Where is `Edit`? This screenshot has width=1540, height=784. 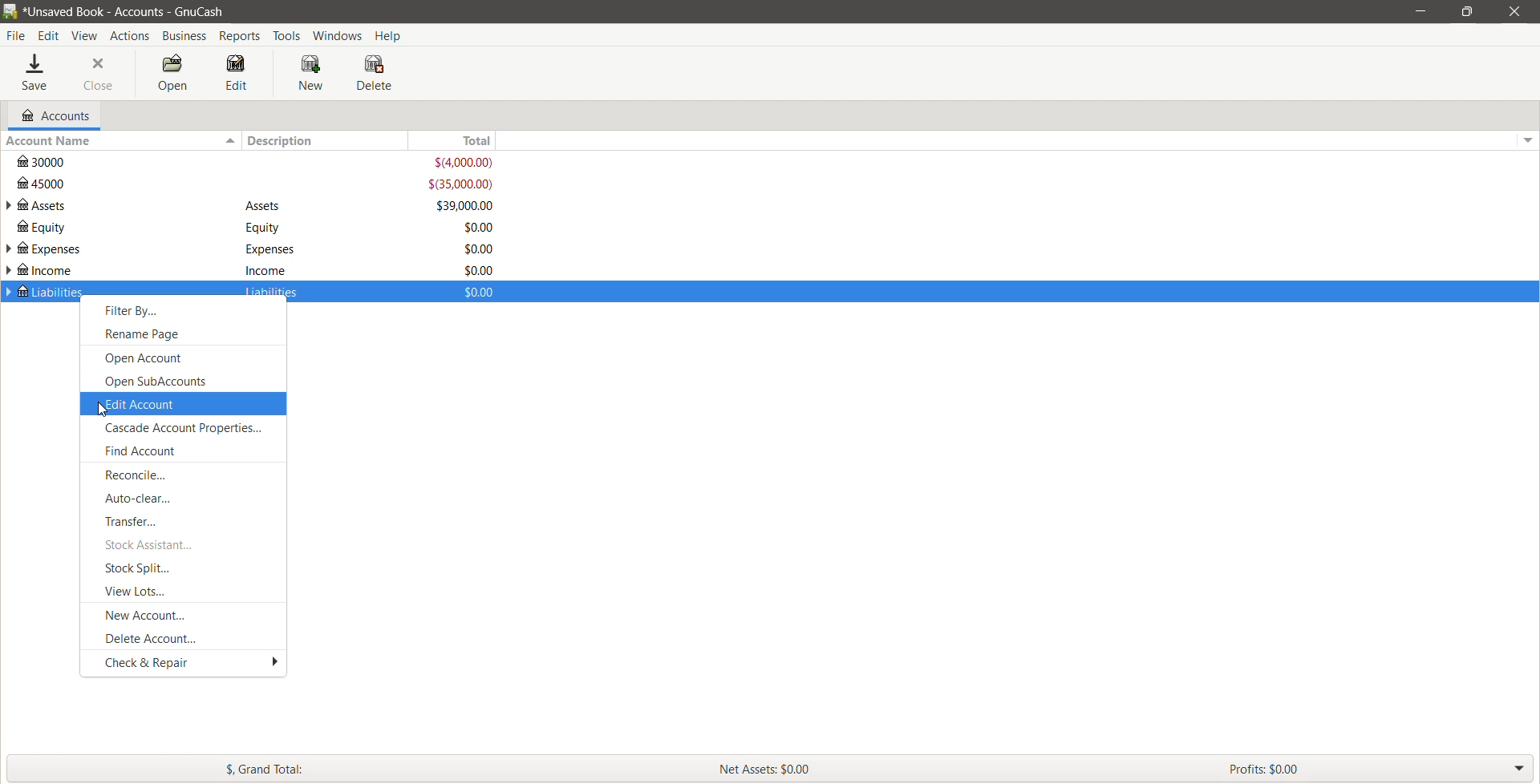 Edit is located at coordinates (237, 74).